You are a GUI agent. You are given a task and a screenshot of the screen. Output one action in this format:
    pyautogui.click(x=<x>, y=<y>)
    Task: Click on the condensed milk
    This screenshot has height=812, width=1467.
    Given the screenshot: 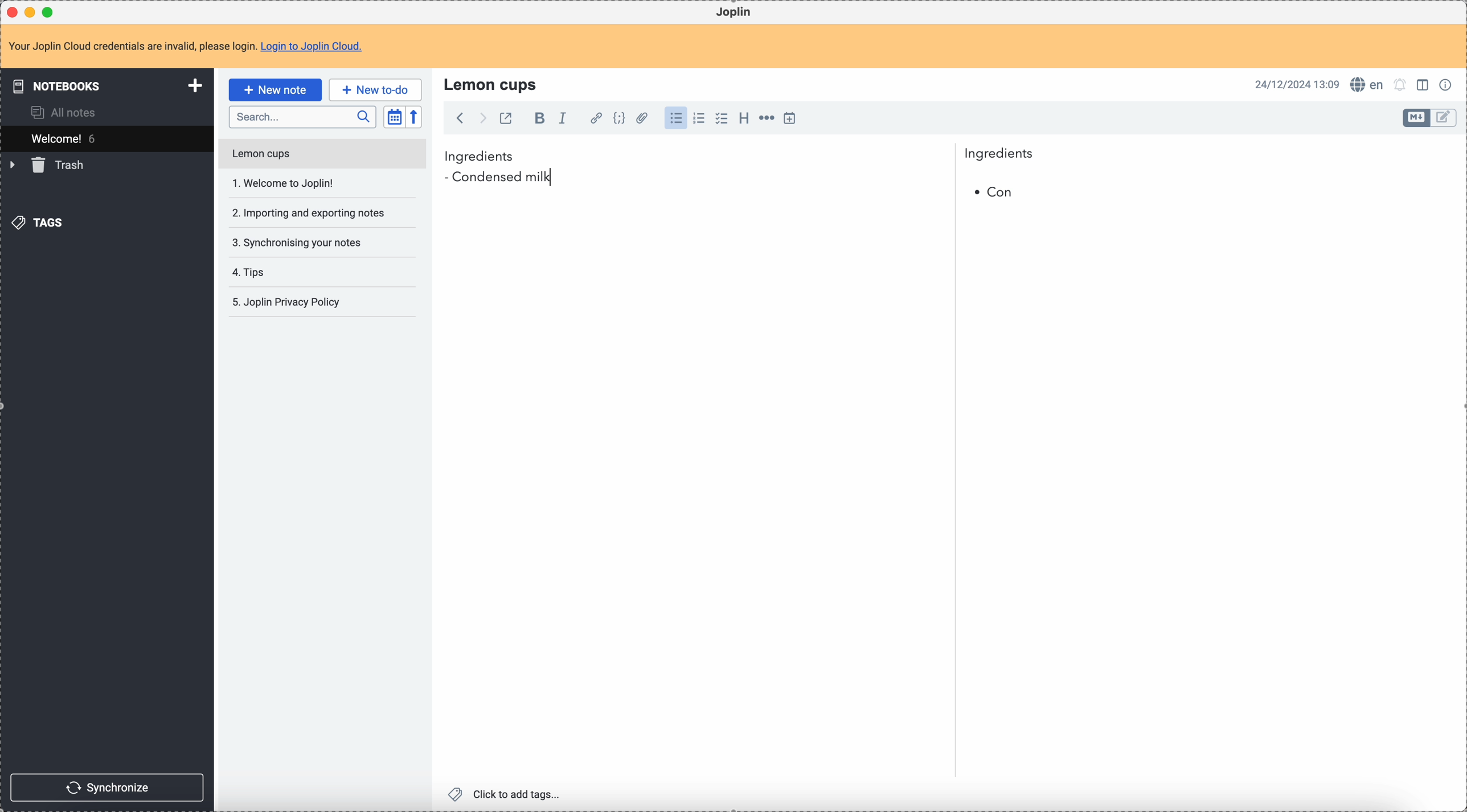 What is the action you would take?
    pyautogui.click(x=502, y=178)
    